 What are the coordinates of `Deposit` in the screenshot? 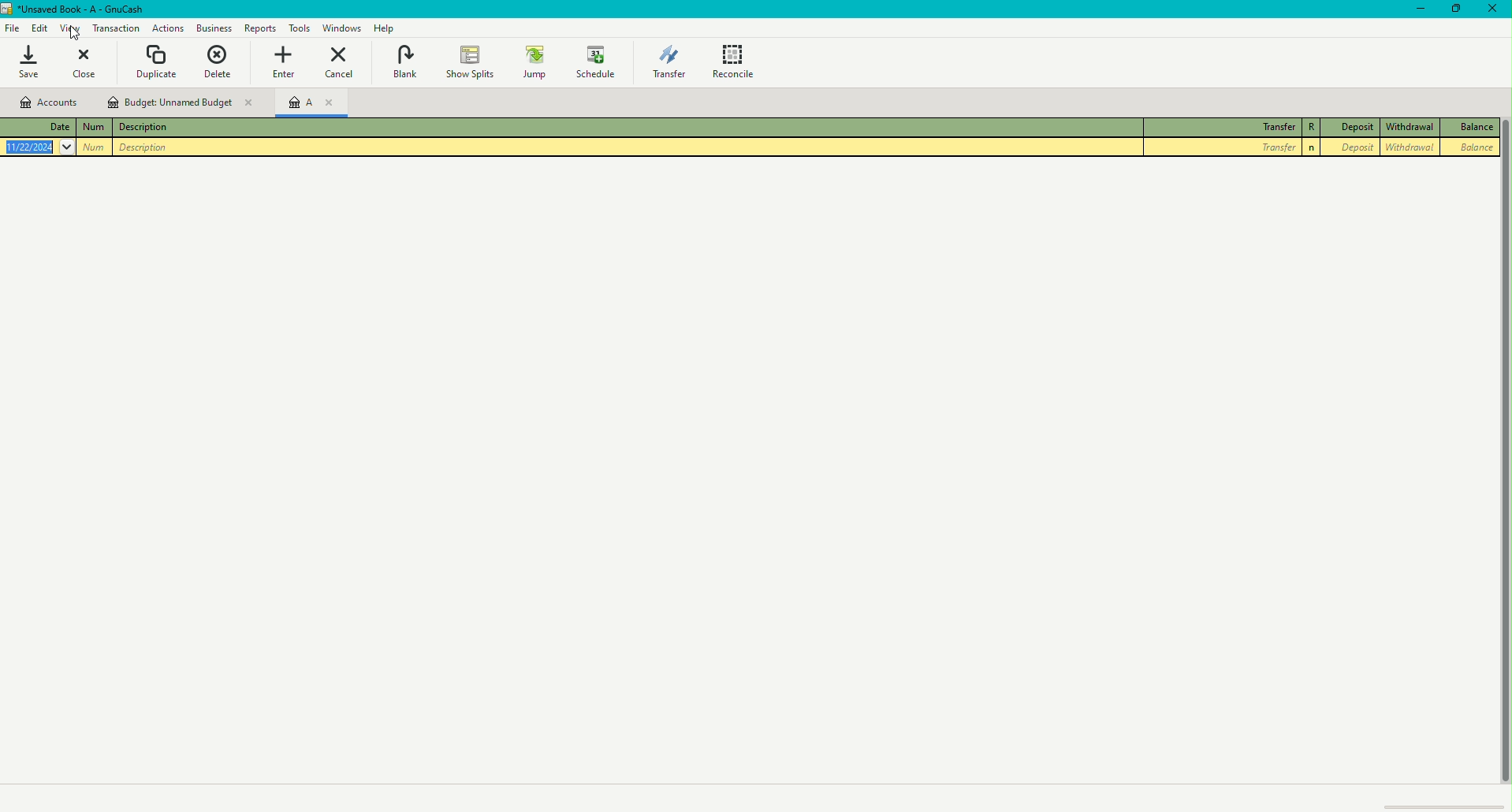 It's located at (1354, 149).